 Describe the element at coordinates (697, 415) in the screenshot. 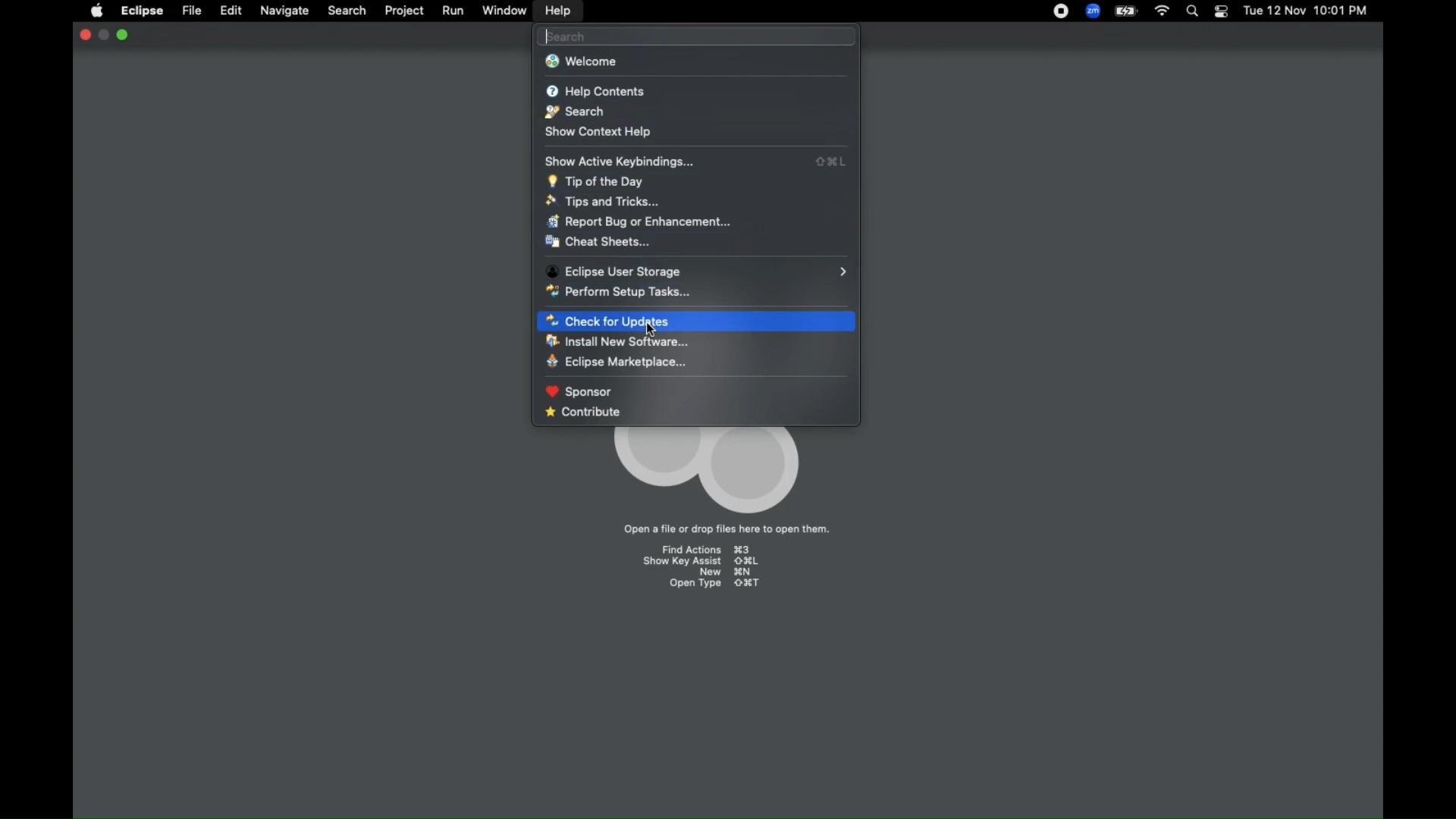

I see `Contribute` at that location.